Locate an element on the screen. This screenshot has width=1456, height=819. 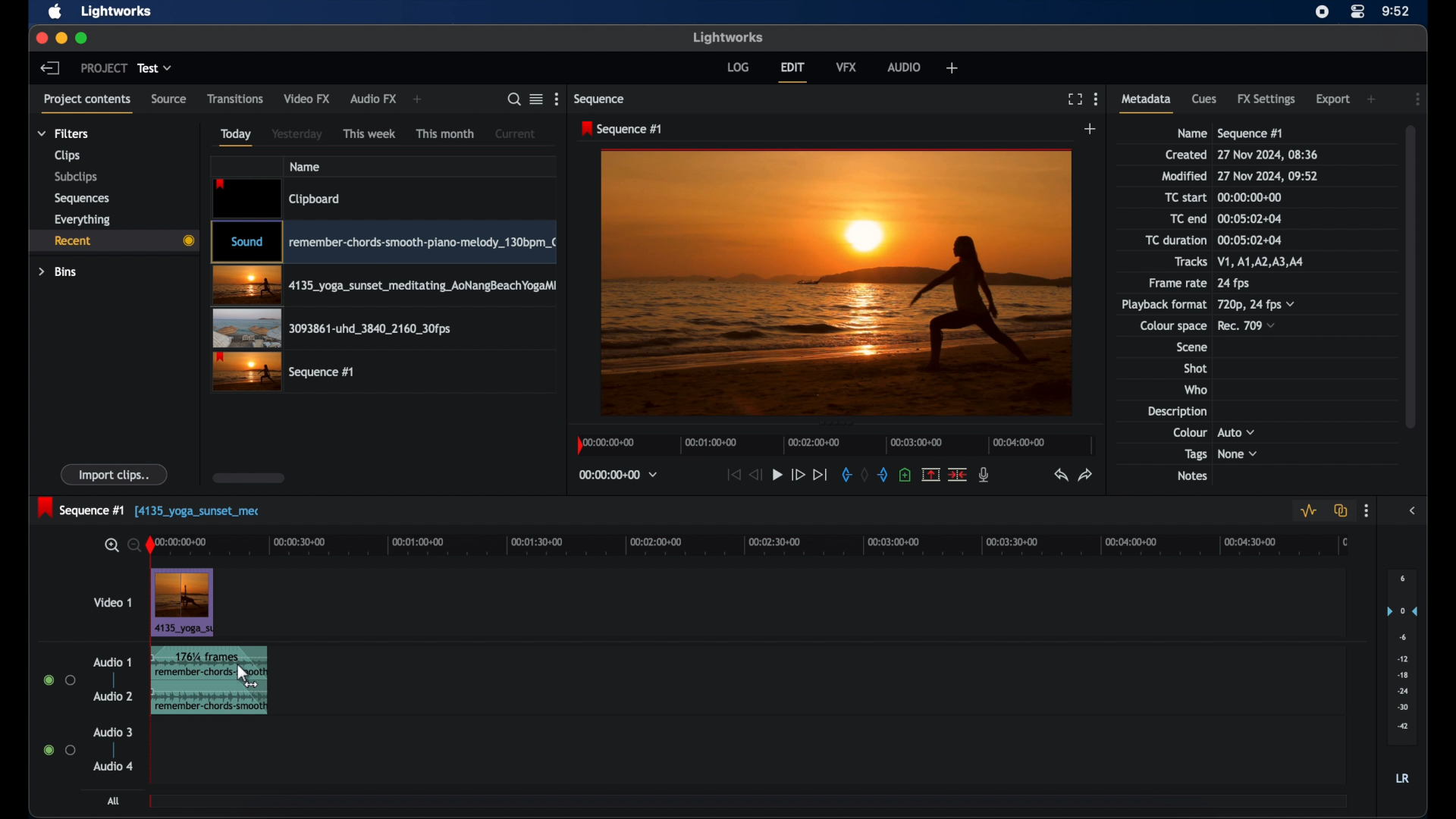
source is located at coordinates (169, 98).